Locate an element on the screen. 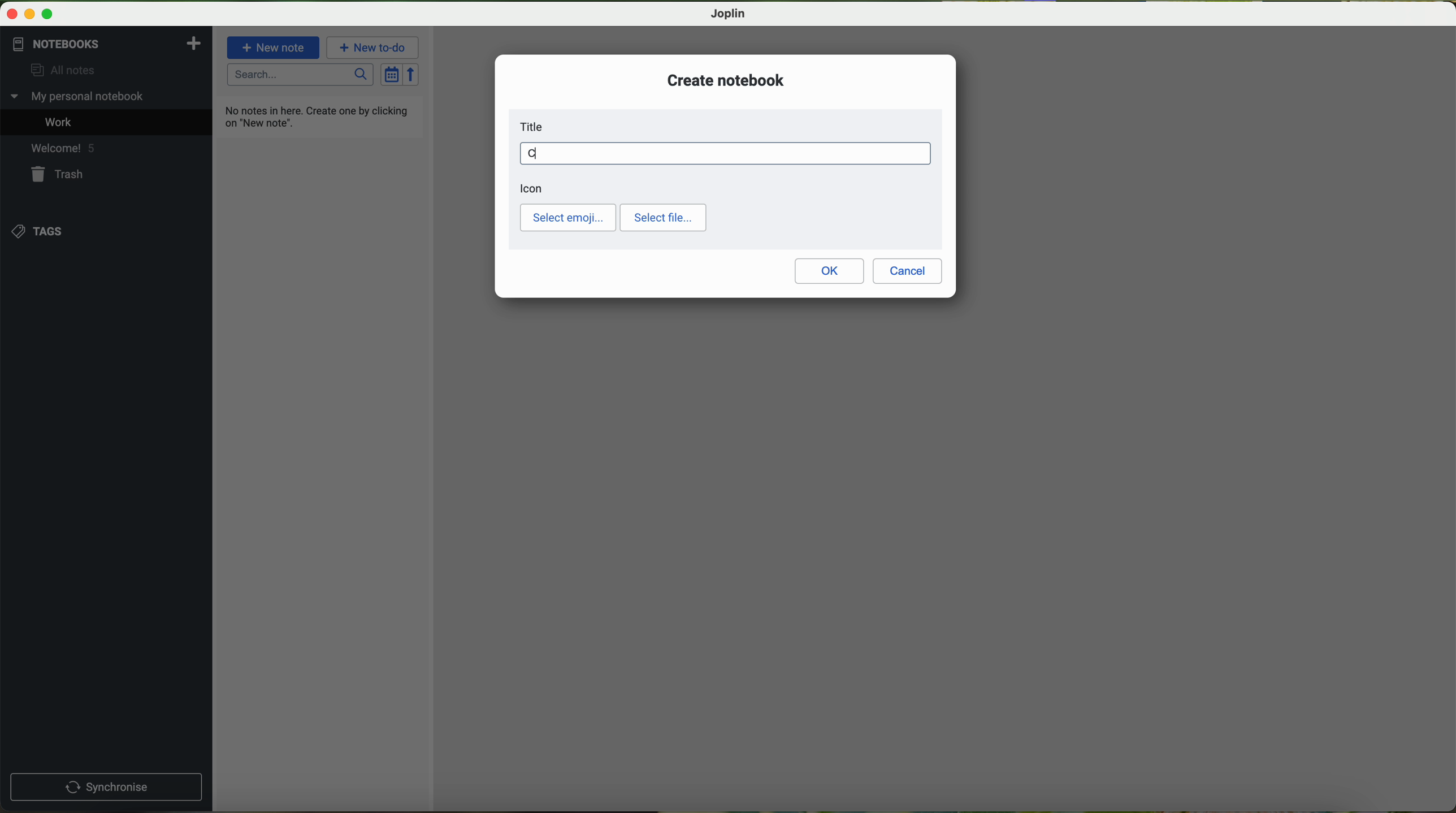 The image size is (1456, 813). my personal notebook is located at coordinates (80, 97).